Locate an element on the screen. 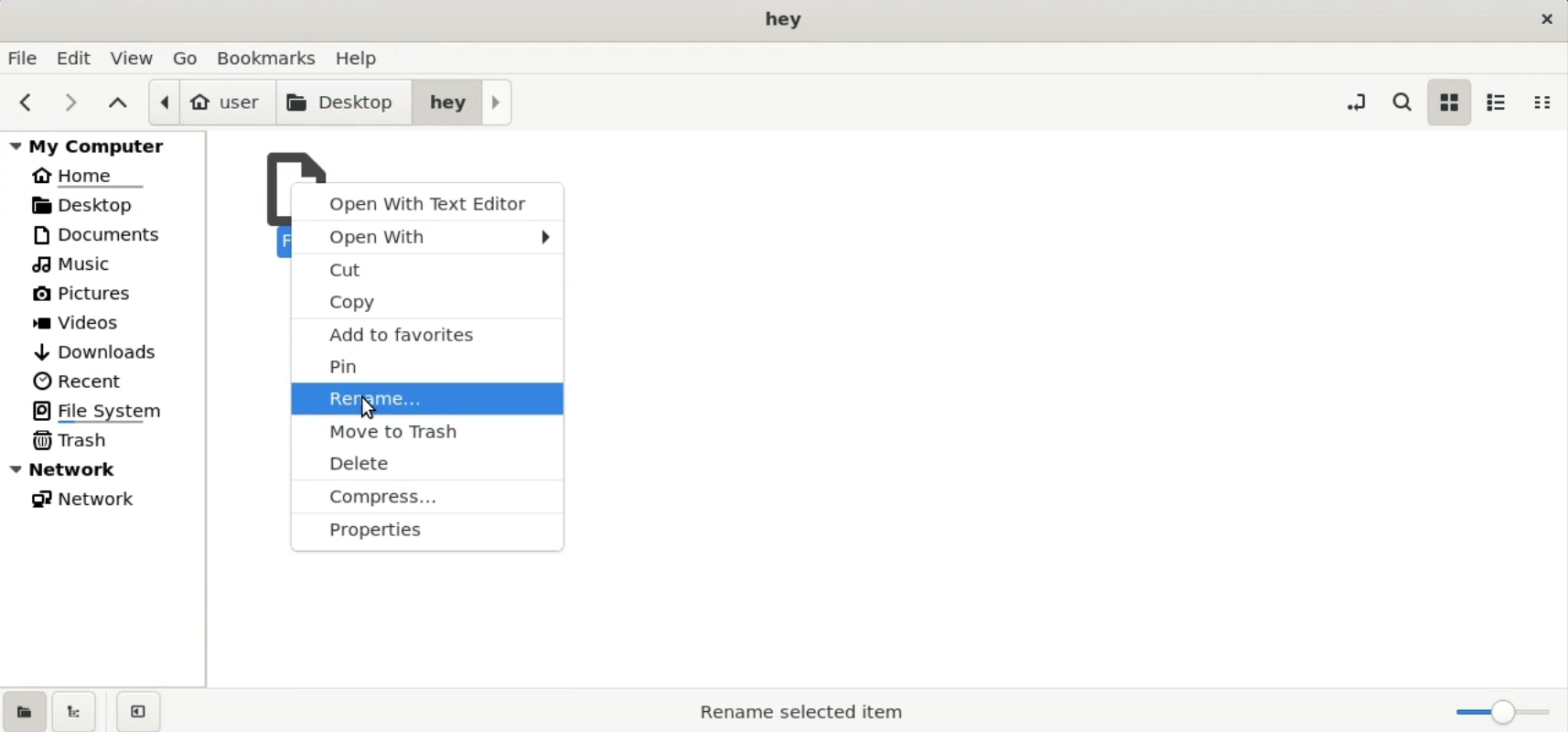 The image size is (1568, 732). desktop is located at coordinates (102, 204).